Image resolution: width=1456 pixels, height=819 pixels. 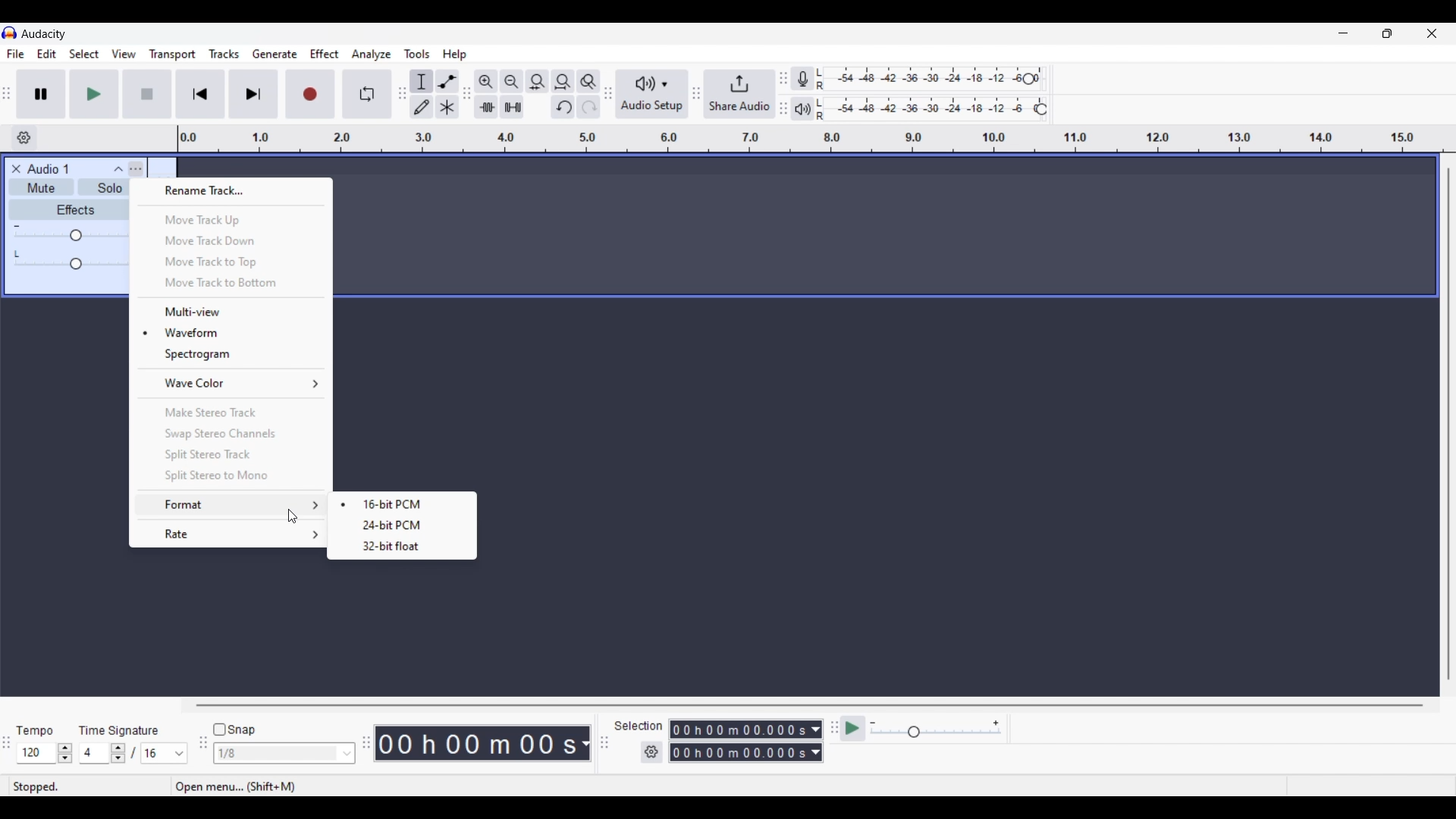 What do you see at coordinates (96, 754) in the screenshot?
I see `Selected time signature` at bounding box center [96, 754].